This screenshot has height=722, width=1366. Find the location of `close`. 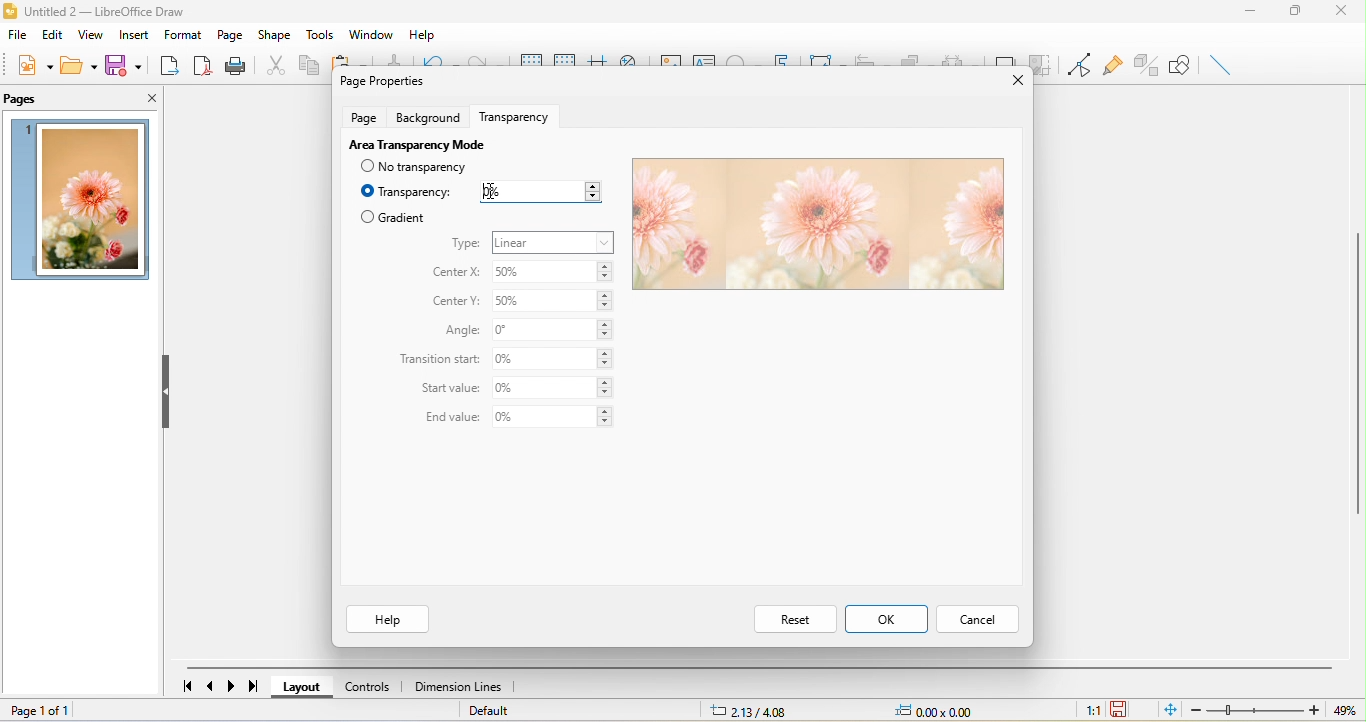

close is located at coordinates (1011, 82).